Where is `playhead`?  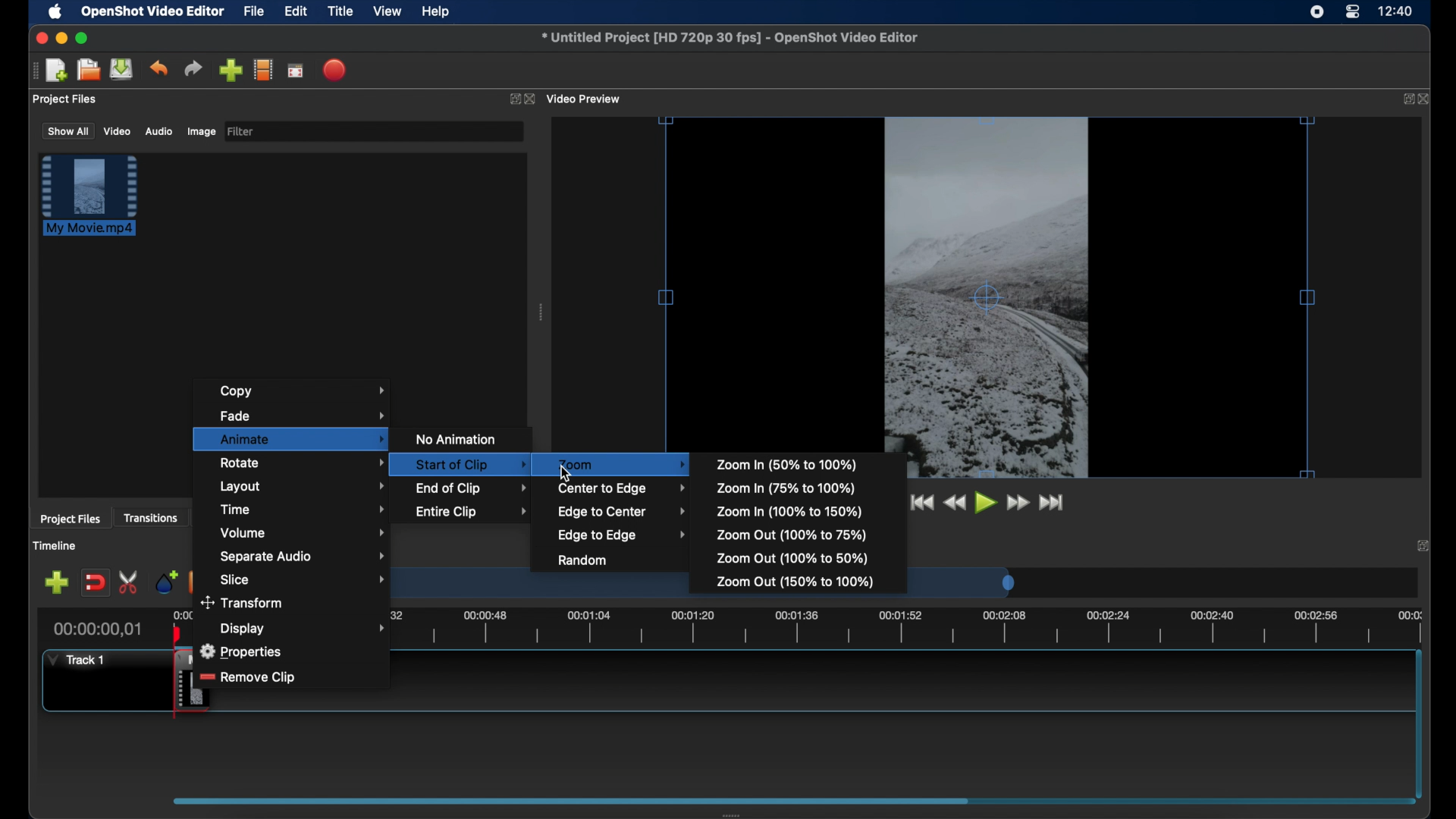 playhead is located at coordinates (176, 631).